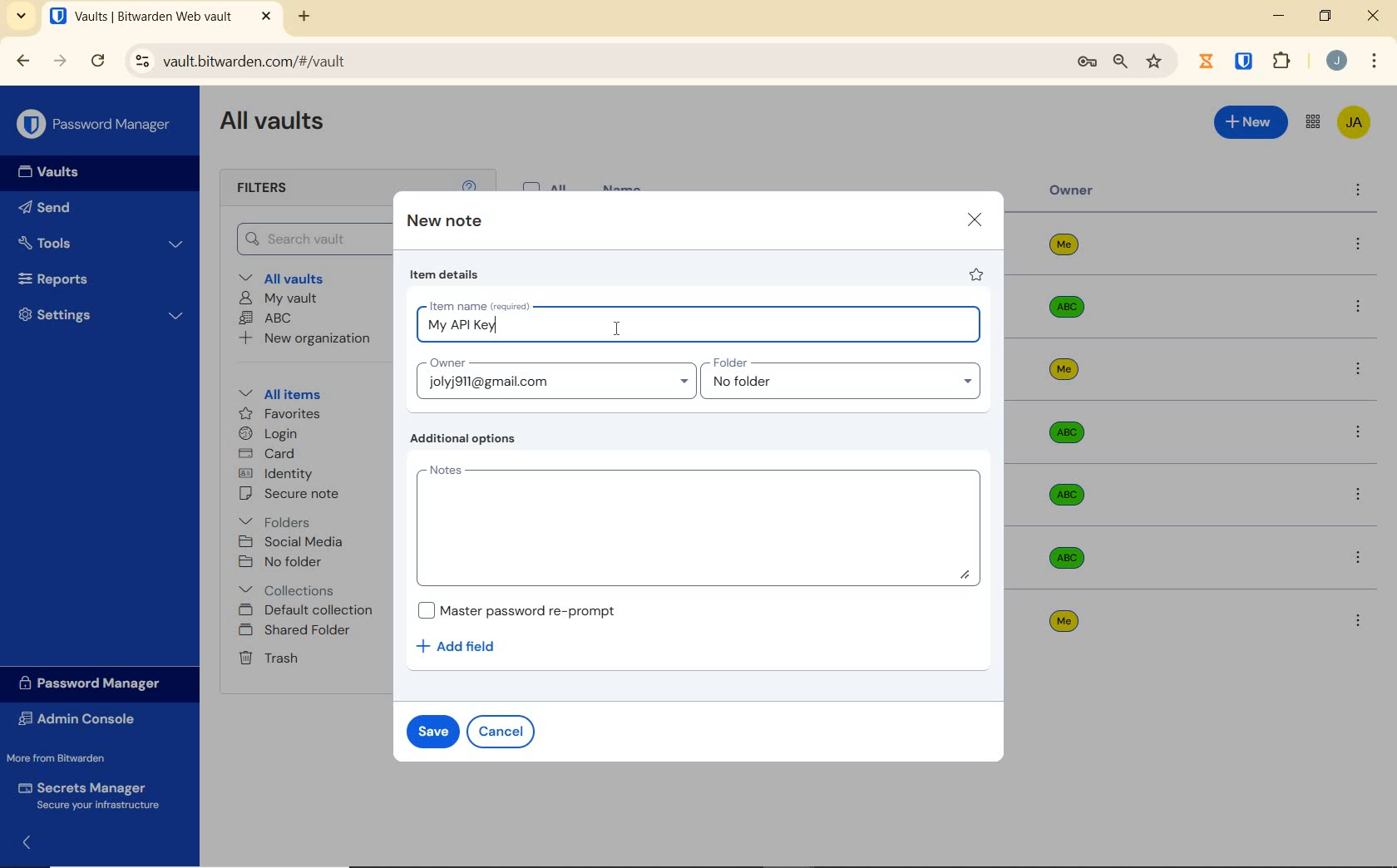  Describe the element at coordinates (292, 394) in the screenshot. I see `All items` at that location.